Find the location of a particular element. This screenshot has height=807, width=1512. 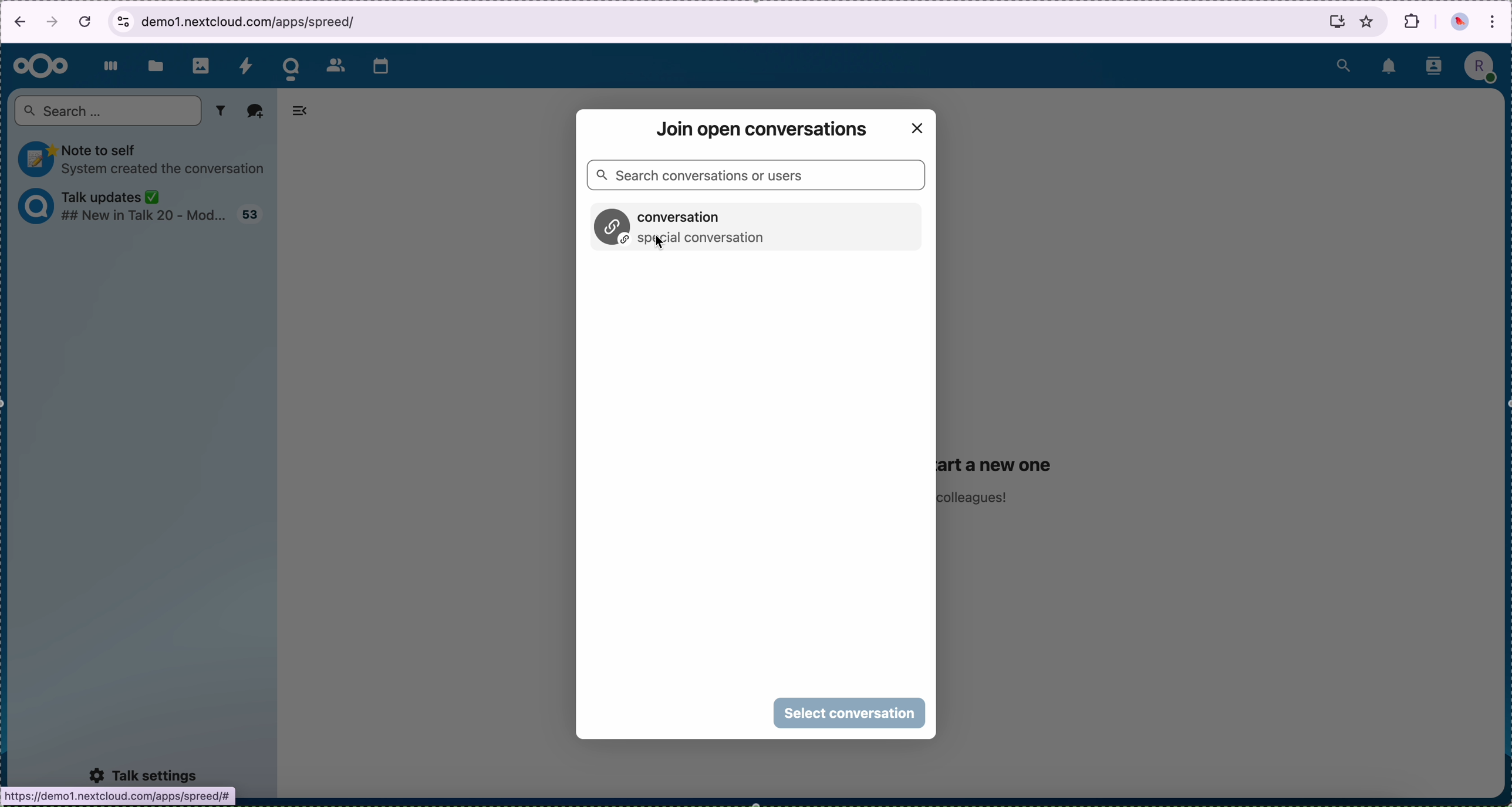

customize and control Google Chrome is located at coordinates (1493, 25).